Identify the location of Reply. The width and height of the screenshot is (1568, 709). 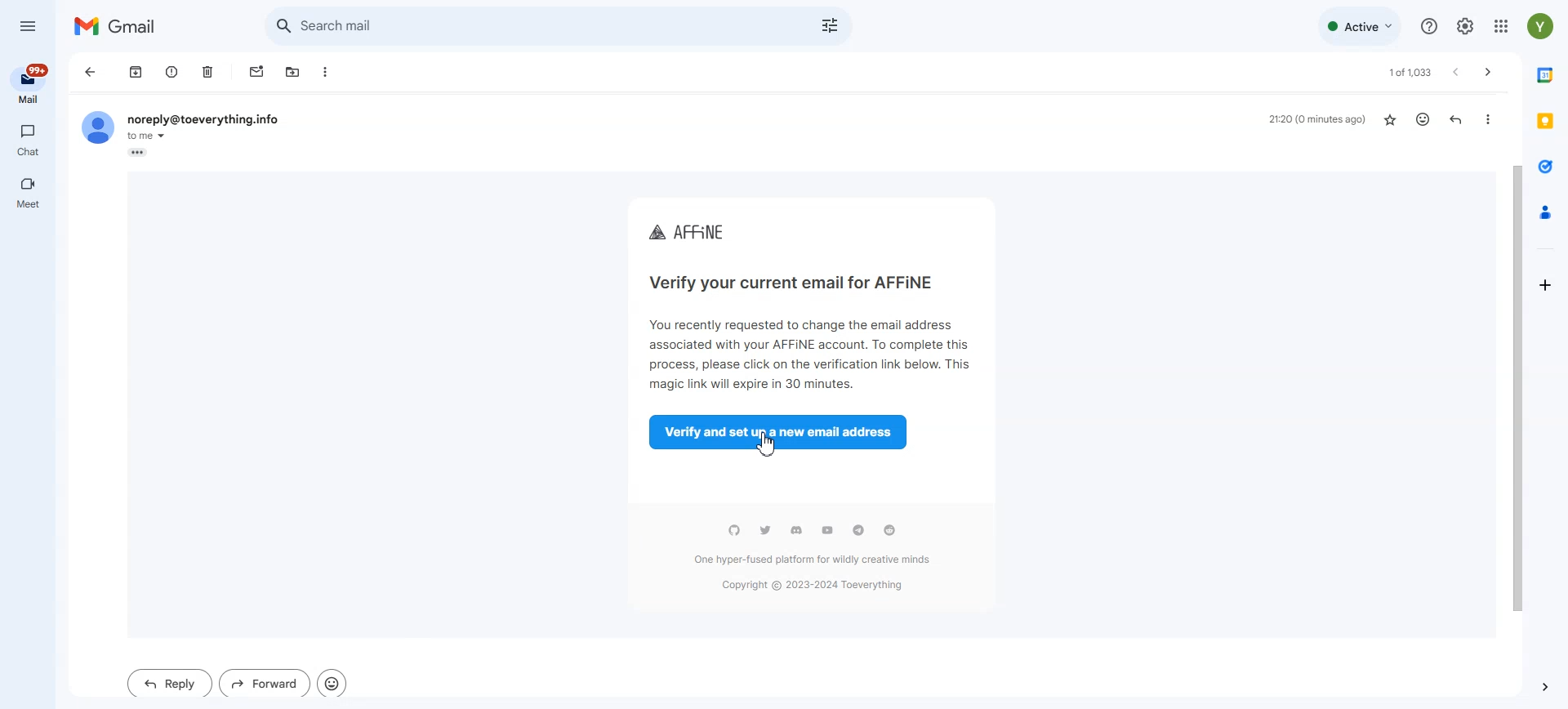
(171, 683).